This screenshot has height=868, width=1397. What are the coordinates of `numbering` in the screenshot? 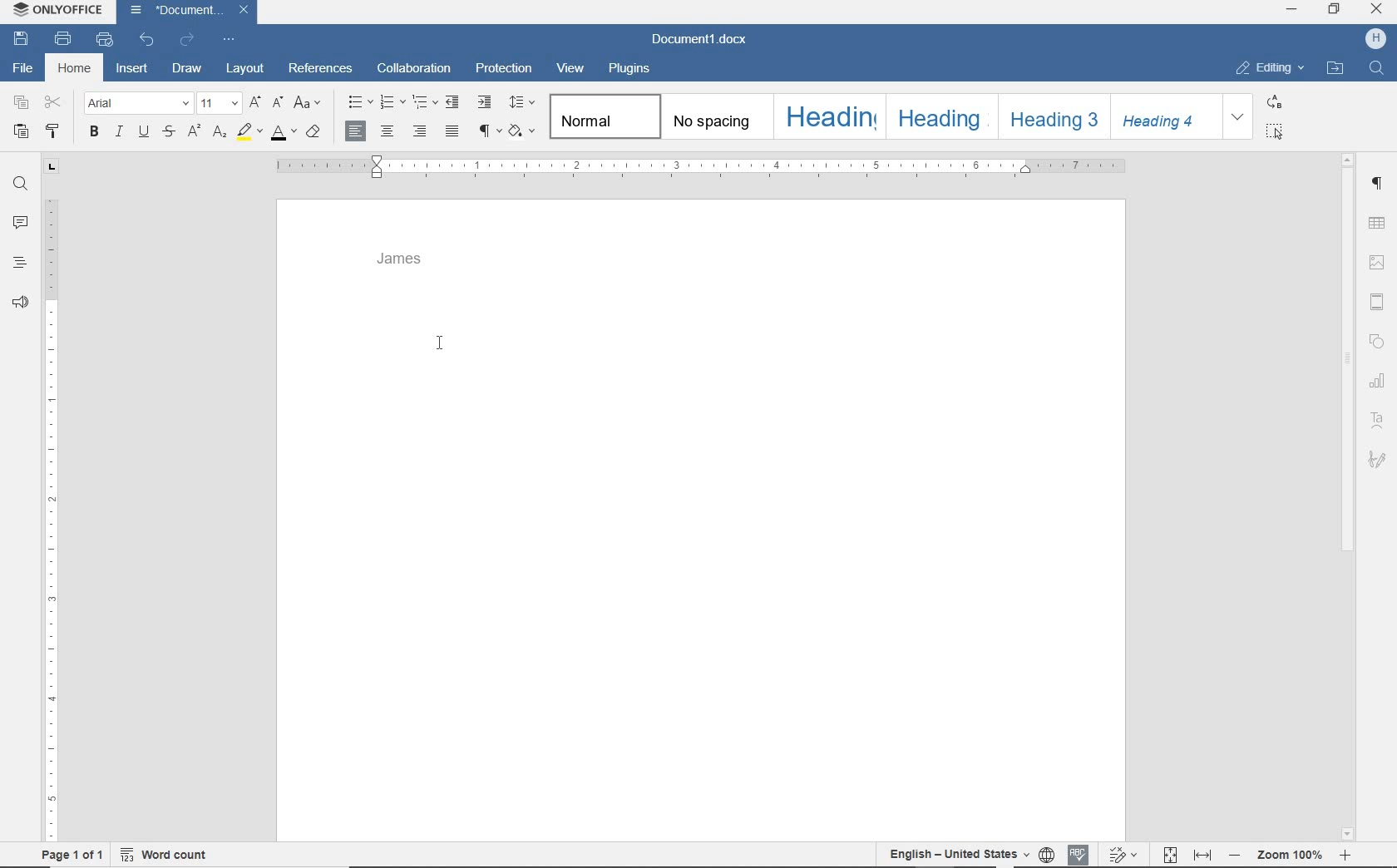 It's located at (392, 103).